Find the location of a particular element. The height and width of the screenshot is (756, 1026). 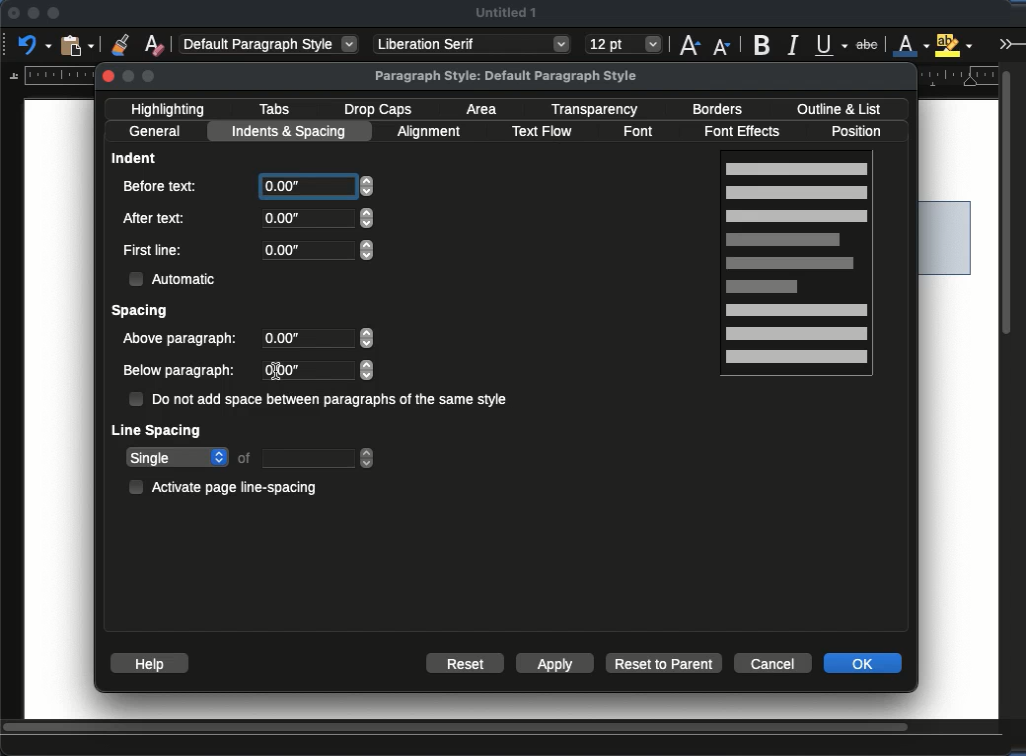

paste is located at coordinates (79, 44).